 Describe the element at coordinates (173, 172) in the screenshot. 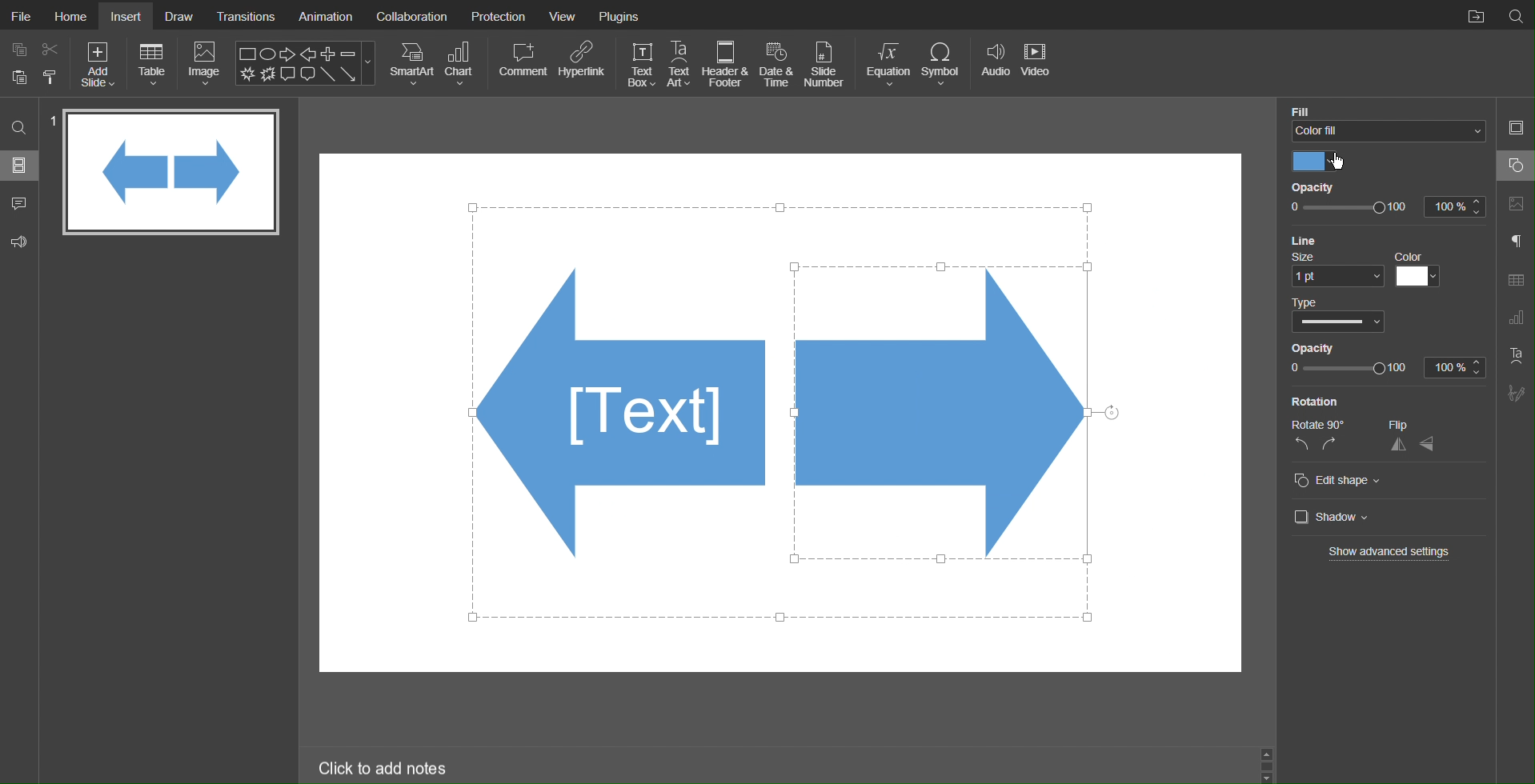

I see `Slide 1` at that location.